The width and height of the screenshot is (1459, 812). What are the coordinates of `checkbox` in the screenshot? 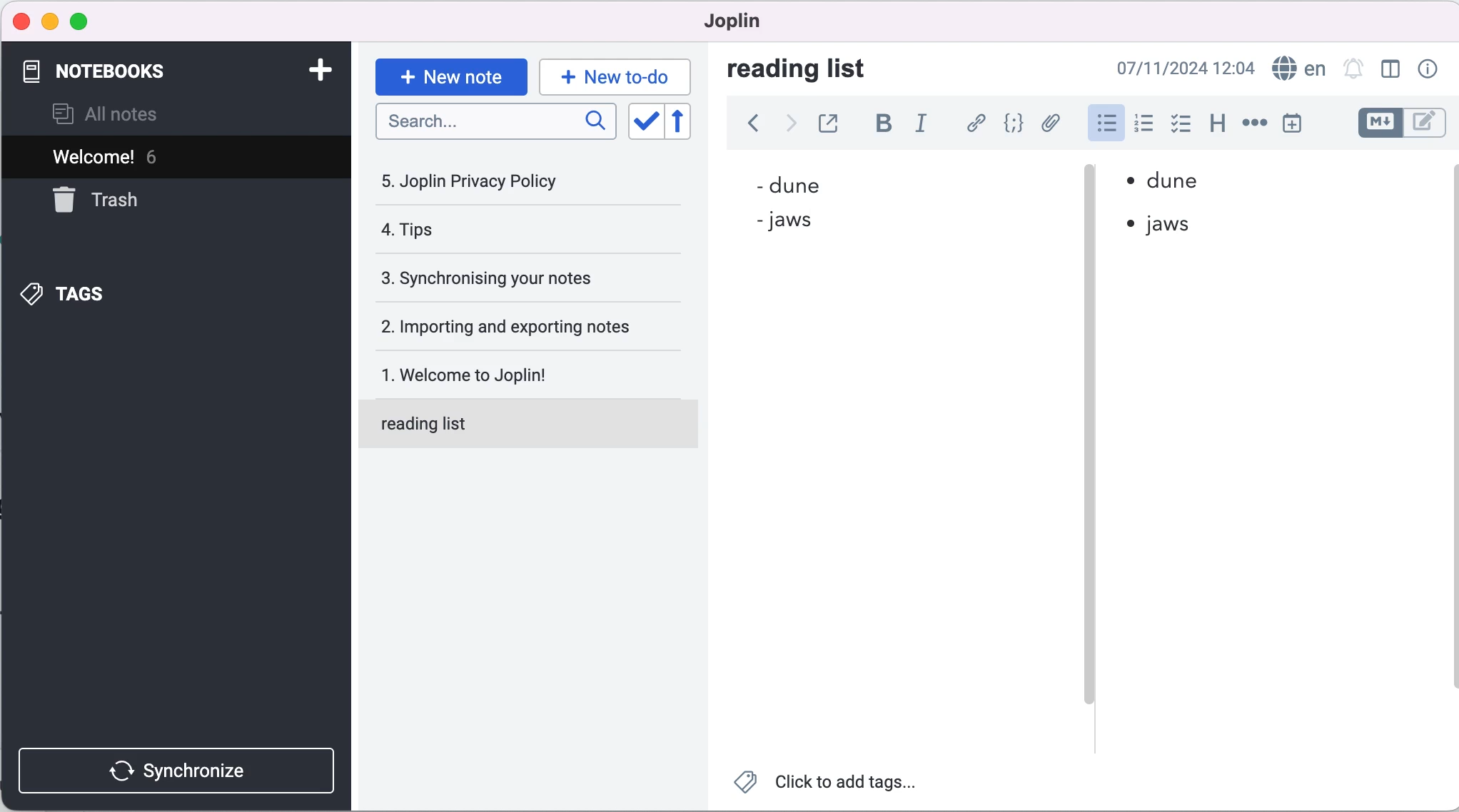 It's located at (1183, 126).